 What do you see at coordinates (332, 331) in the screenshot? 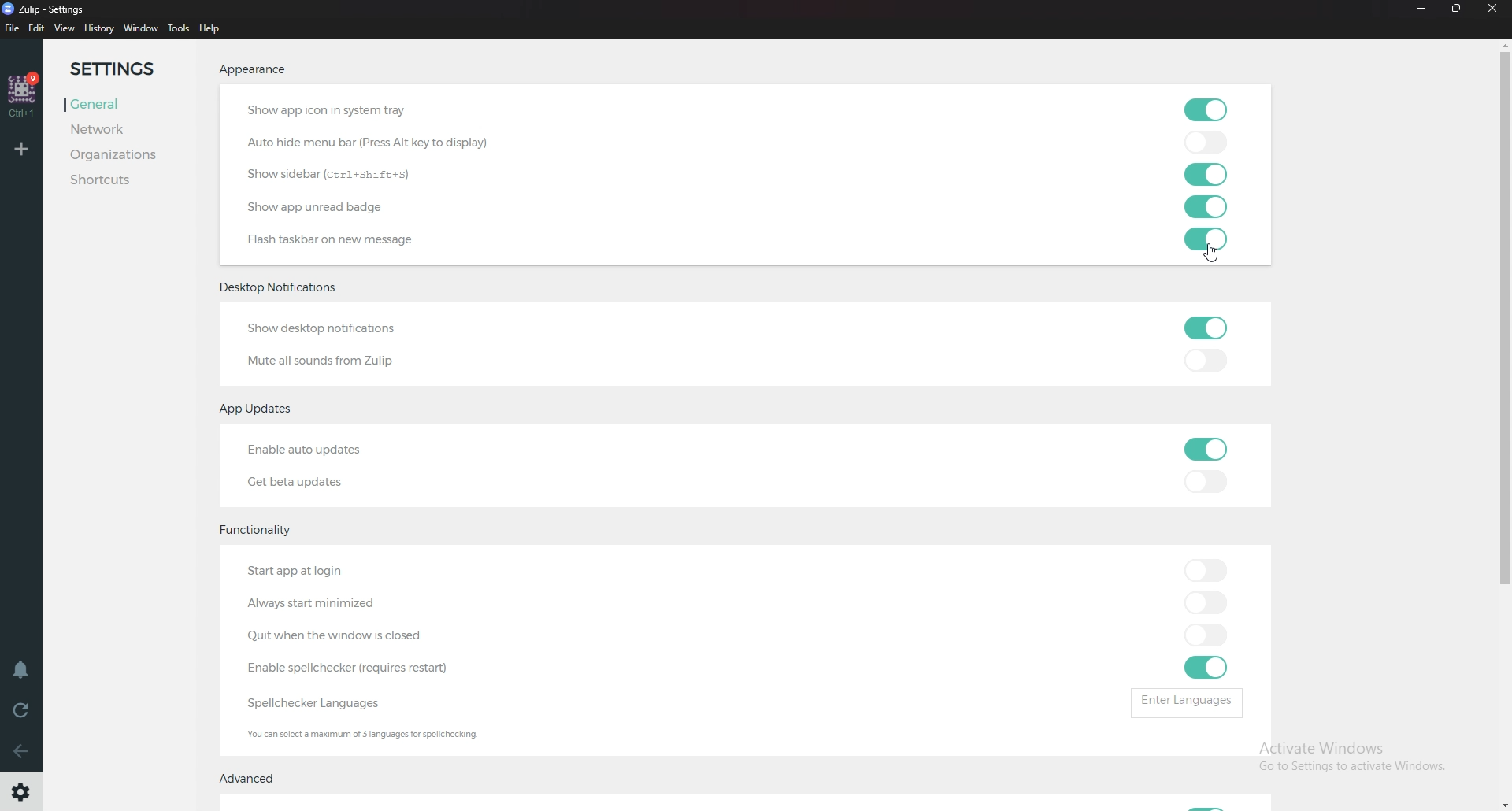
I see `show desktop notifications` at bounding box center [332, 331].